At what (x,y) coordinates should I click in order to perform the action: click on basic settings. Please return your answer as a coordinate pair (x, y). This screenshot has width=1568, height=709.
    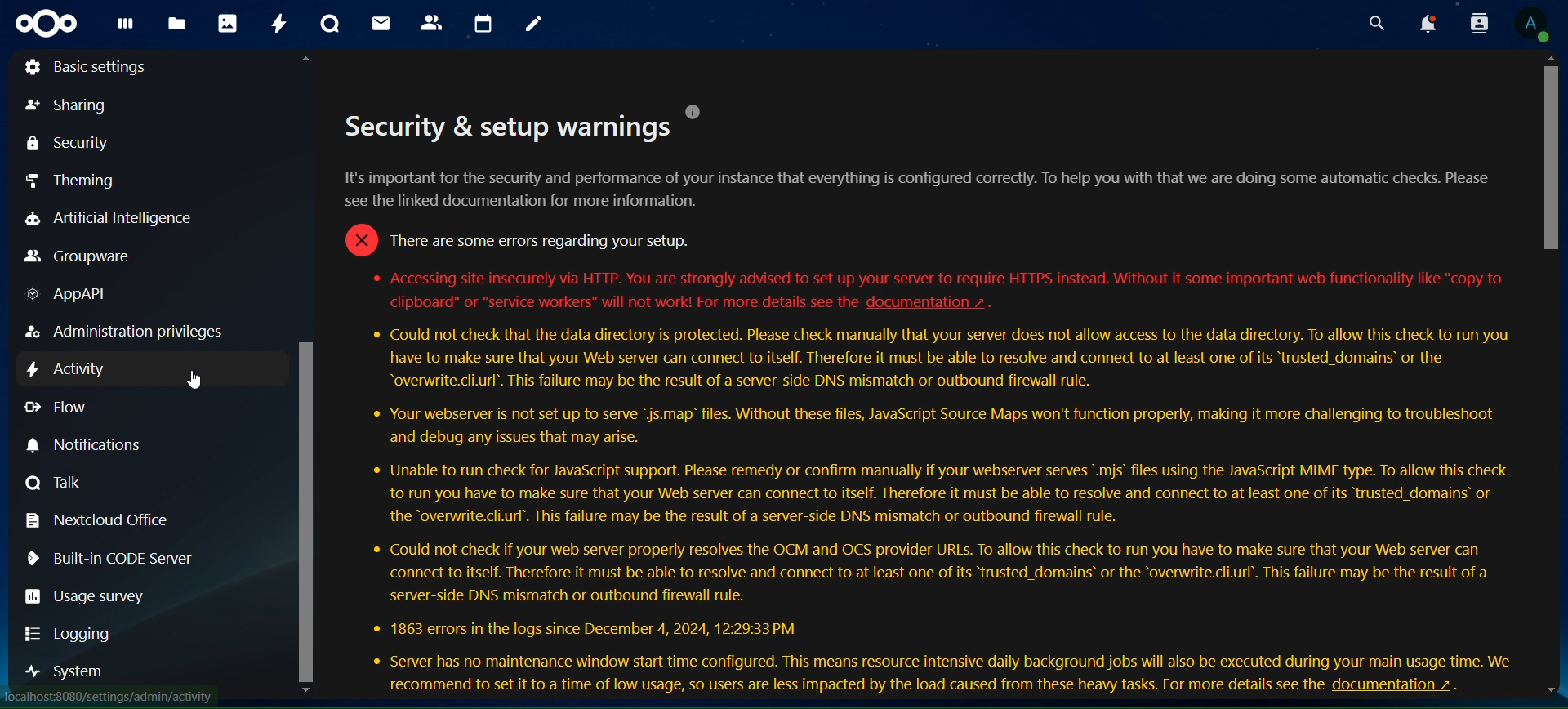
    Looking at the image, I should click on (98, 65).